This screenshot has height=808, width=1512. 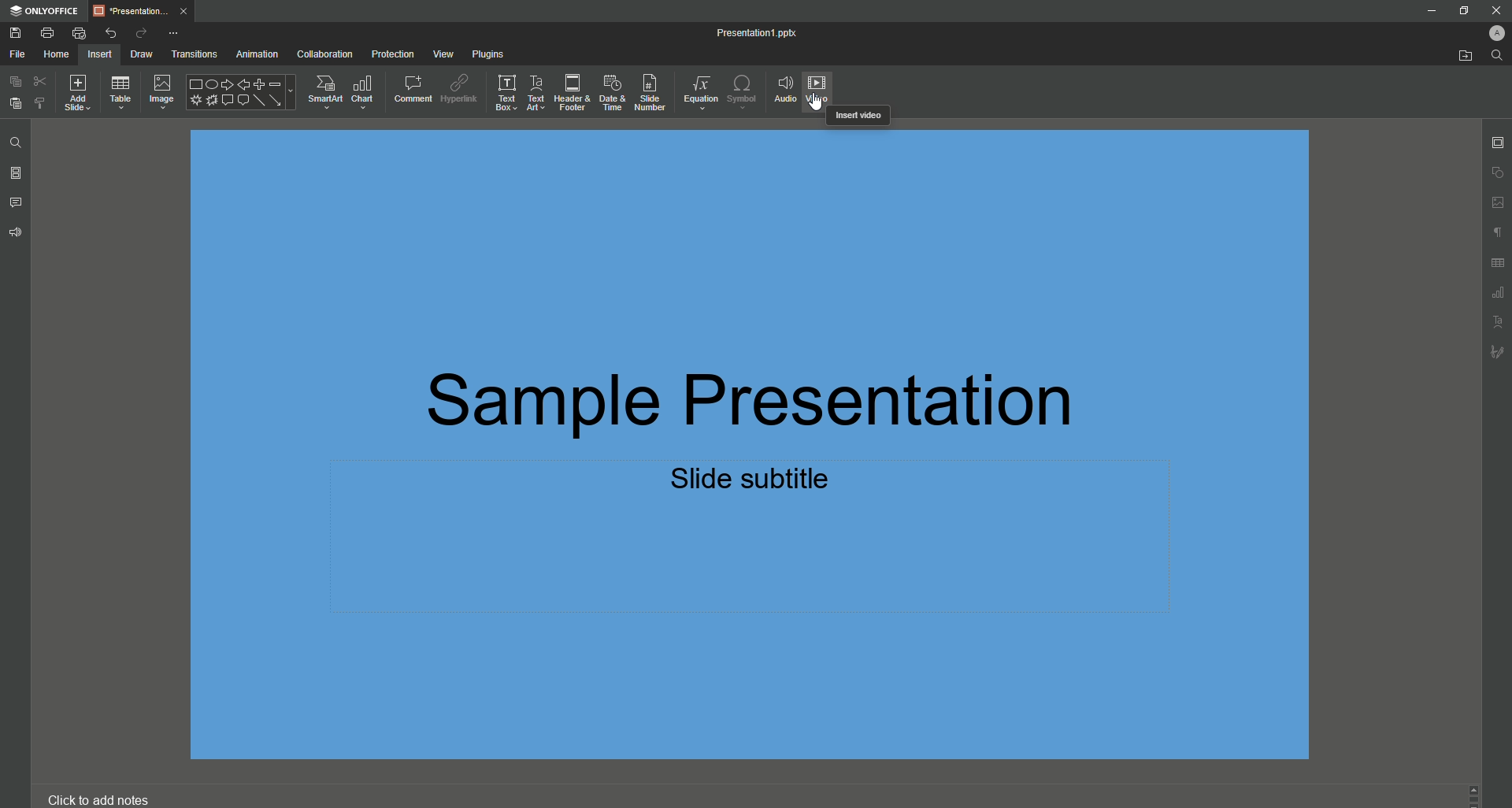 I want to click on Sample Presentation, so click(x=762, y=395).